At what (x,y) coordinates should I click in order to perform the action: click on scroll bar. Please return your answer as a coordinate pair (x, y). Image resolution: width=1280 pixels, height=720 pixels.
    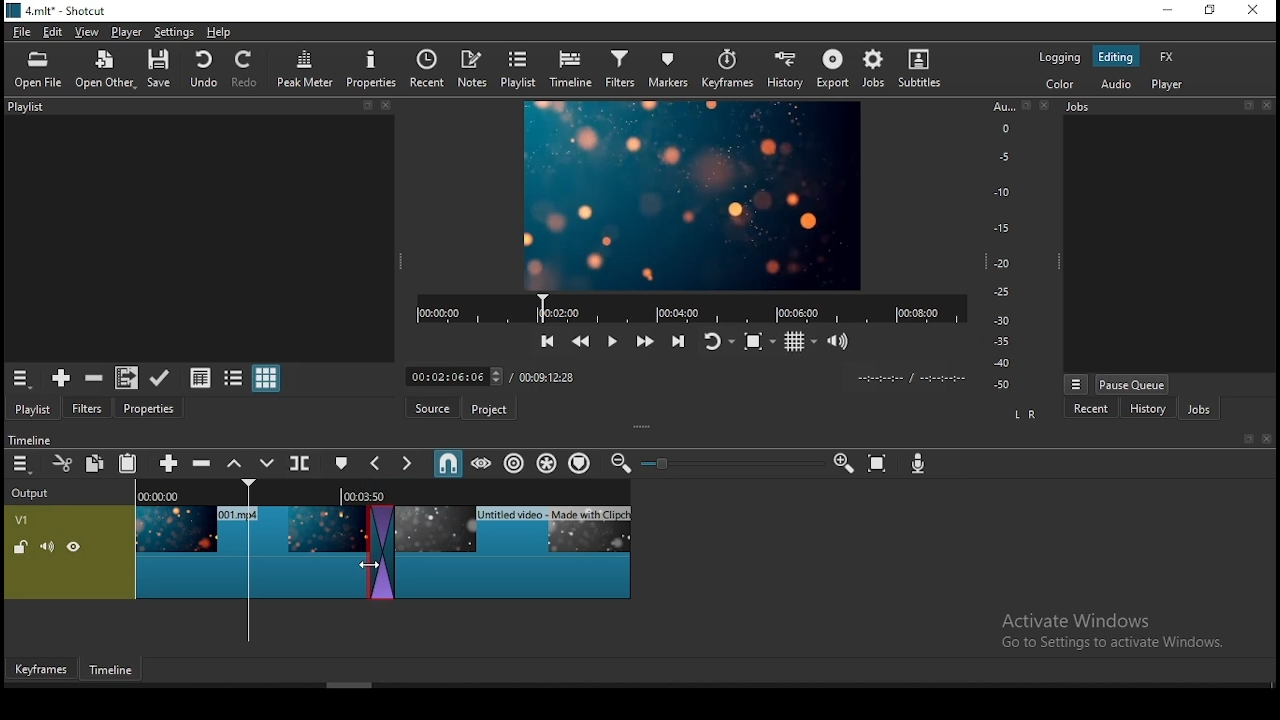
    Looking at the image, I should click on (351, 684).